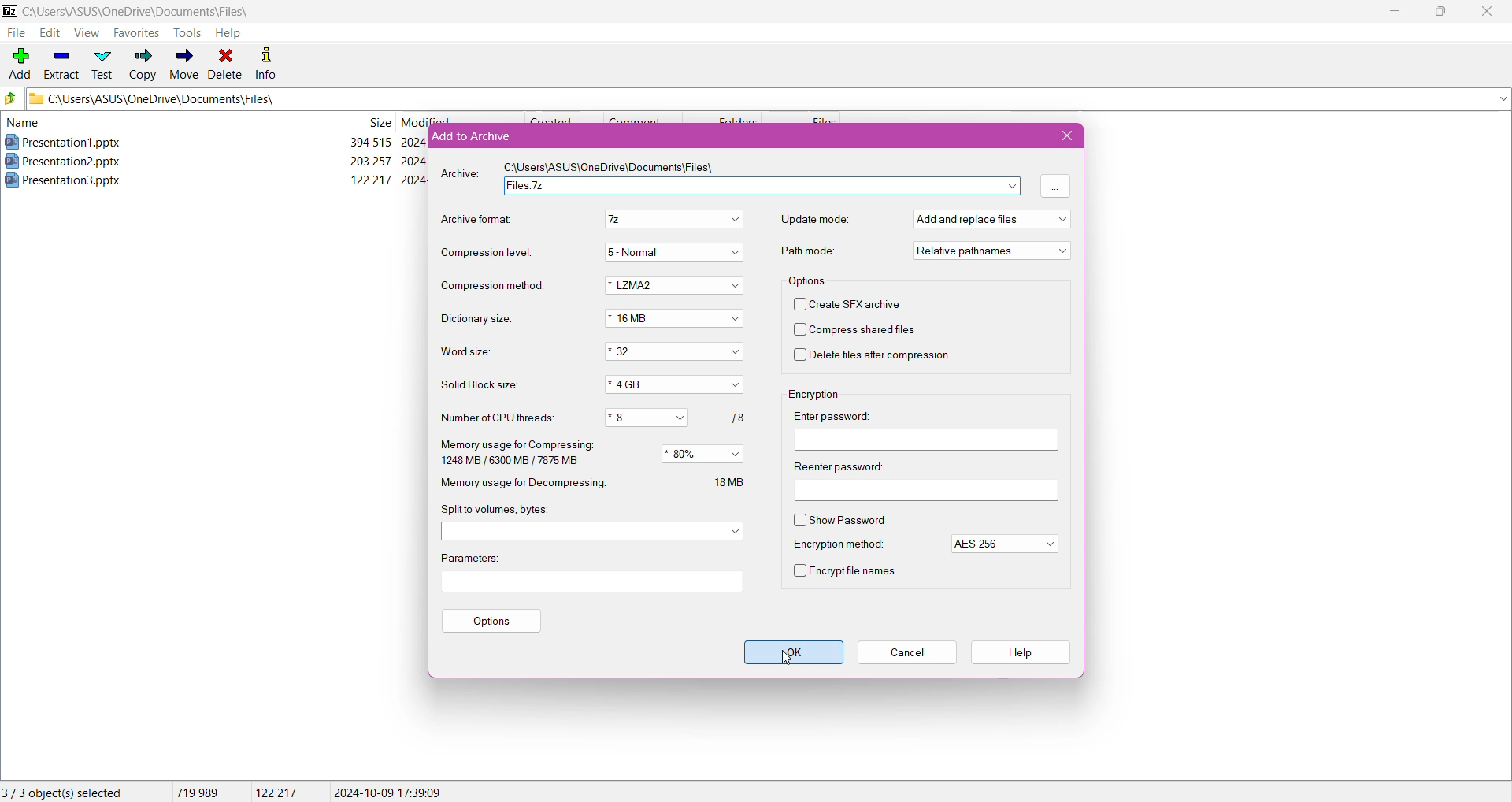 The image size is (1512, 802). I want to click on File, so click(18, 33).